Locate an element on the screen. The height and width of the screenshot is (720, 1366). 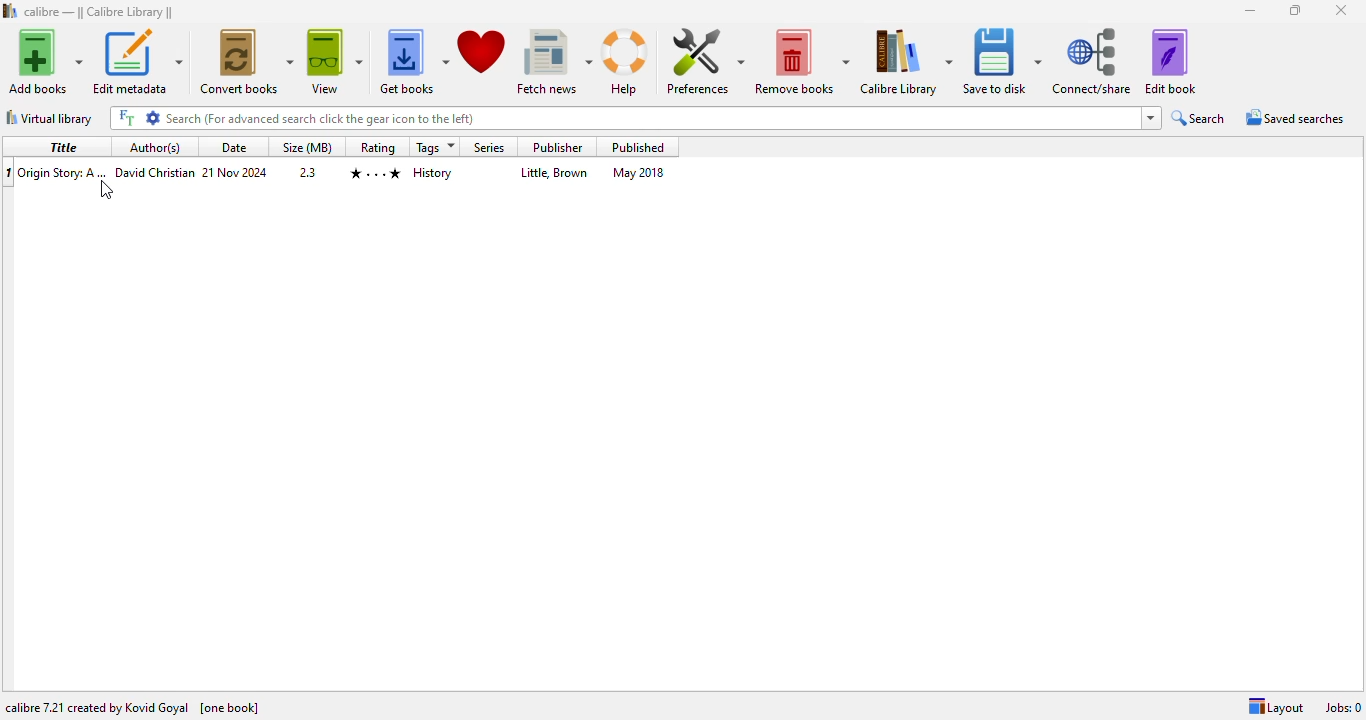
search is located at coordinates (625, 118).